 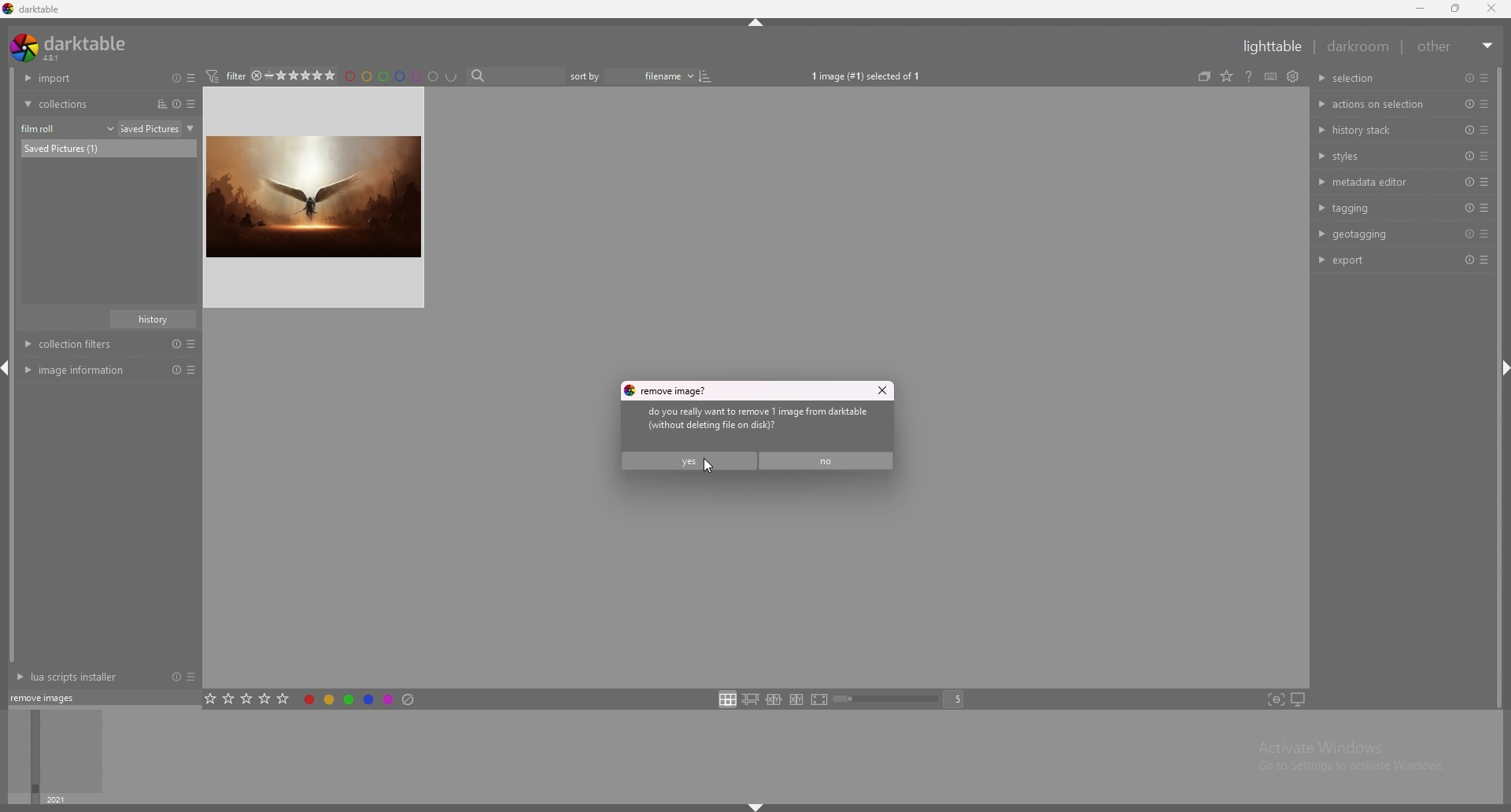 I want to click on culling layout in dynamic mode, so click(x=796, y=699).